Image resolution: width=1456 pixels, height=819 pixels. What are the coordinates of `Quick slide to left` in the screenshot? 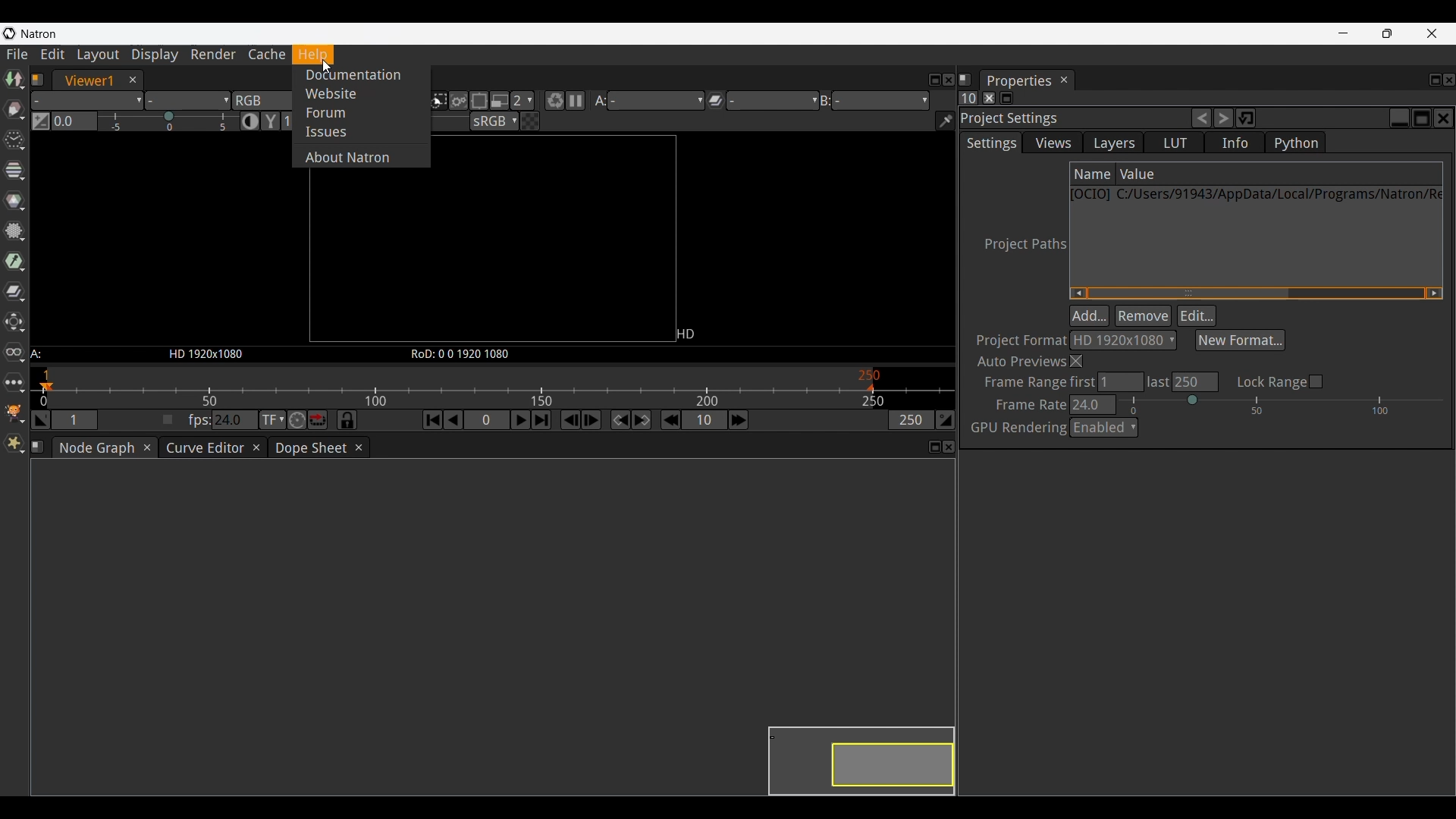 It's located at (1078, 293).